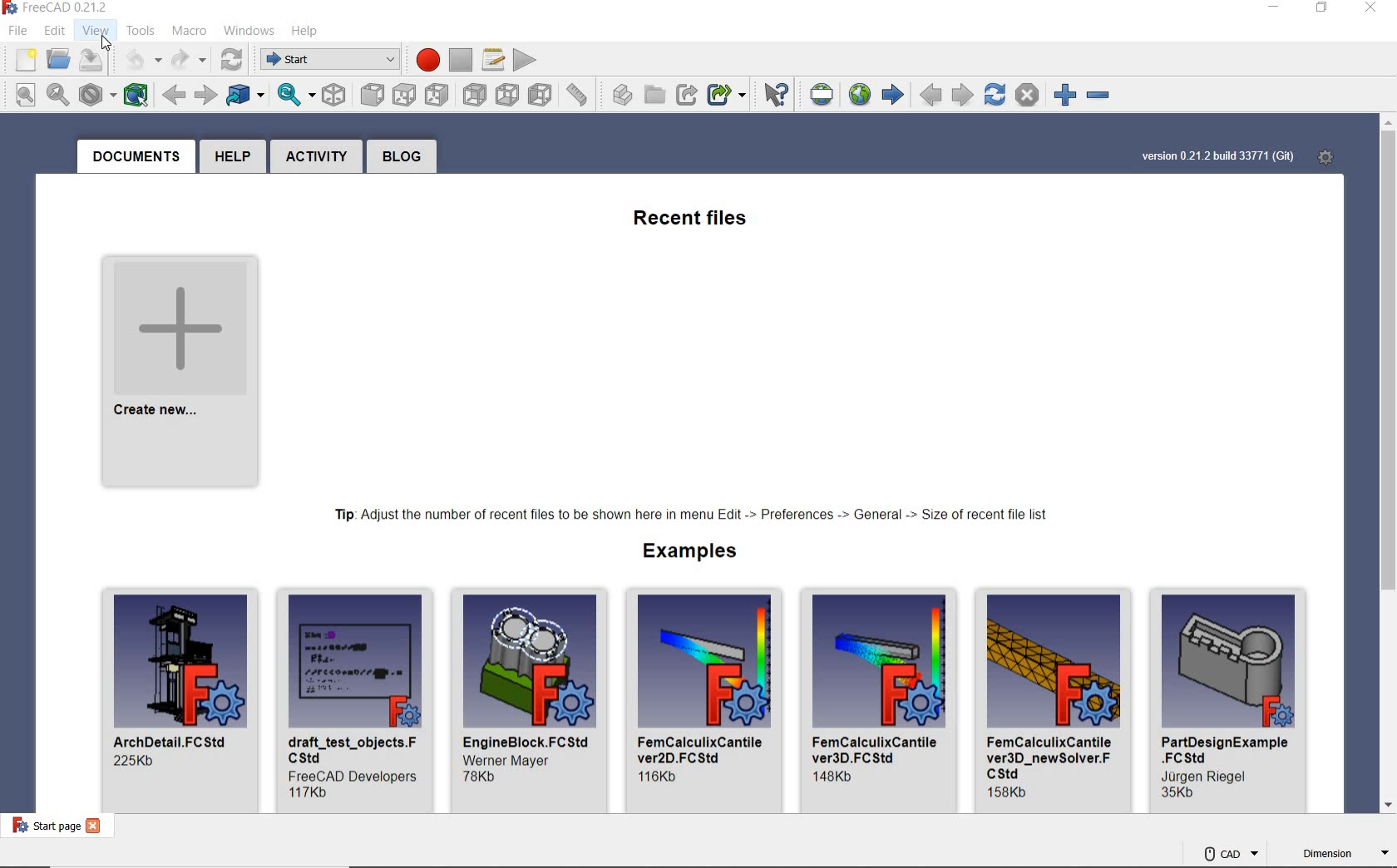 Image resolution: width=1397 pixels, height=868 pixels. I want to click on create group, so click(657, 96).